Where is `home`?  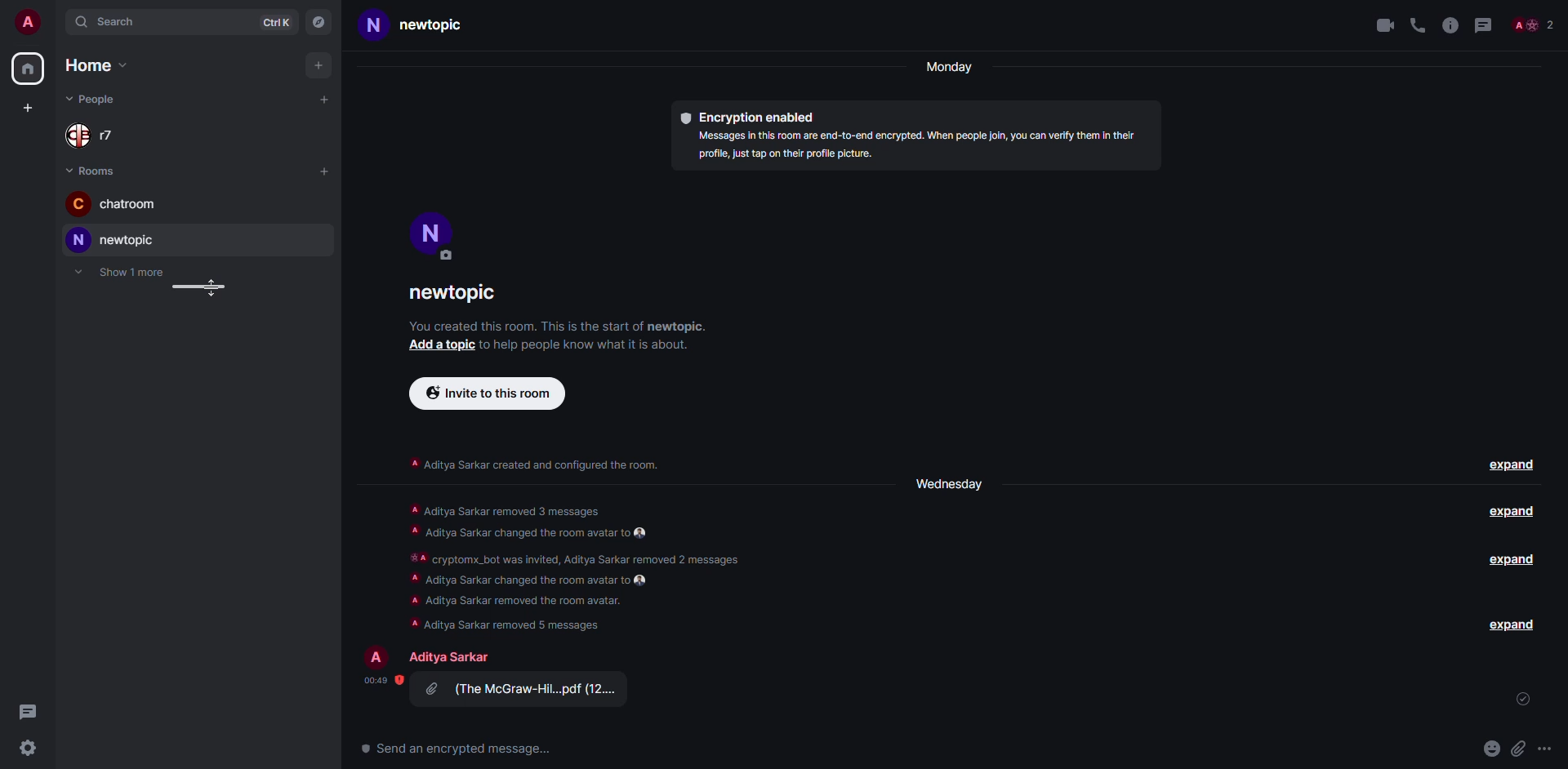
home is located at coordinates (28, 69).